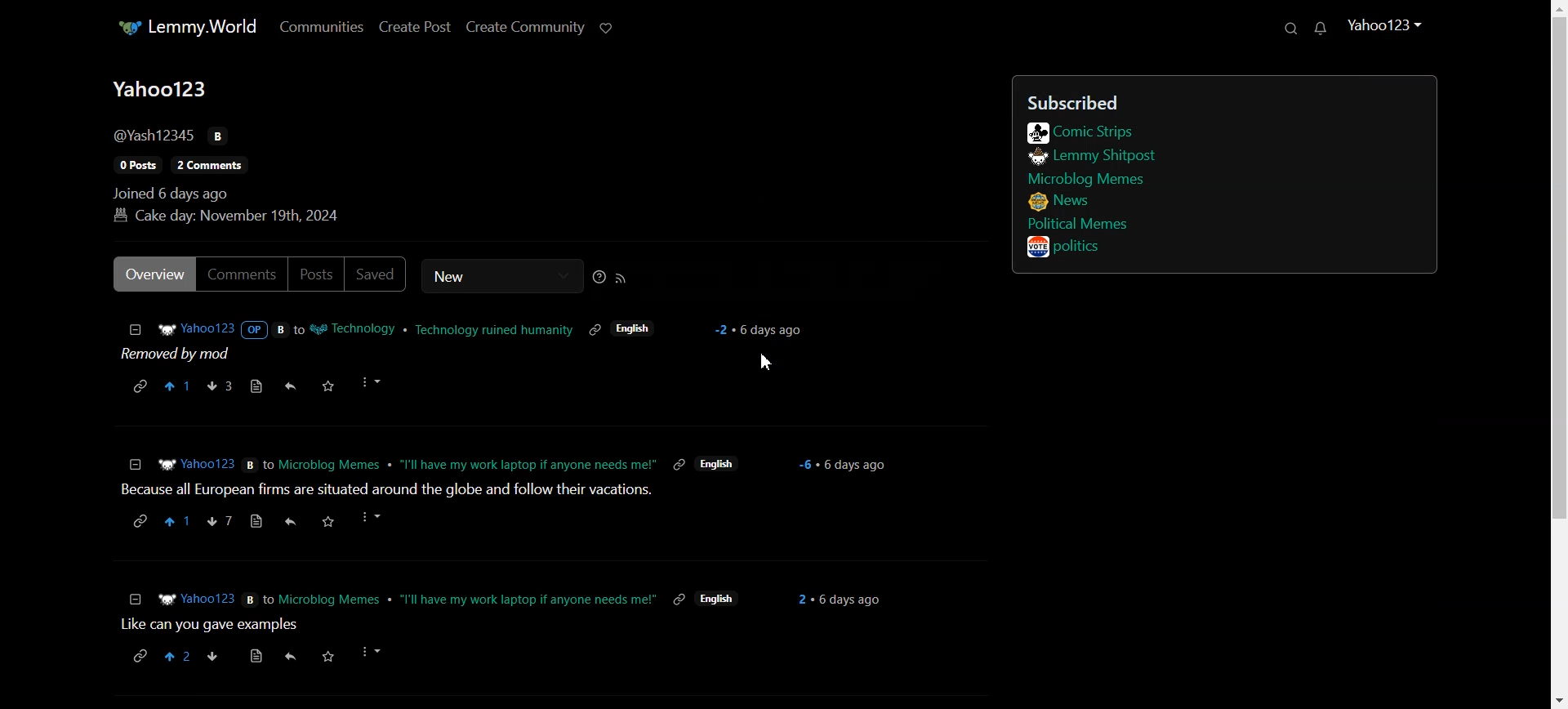 This screenshot has height=709, width=1568. What do you see at coordinates (319, 27) in the screenshot?
I see `Communities` at bounding box center [319, 27].